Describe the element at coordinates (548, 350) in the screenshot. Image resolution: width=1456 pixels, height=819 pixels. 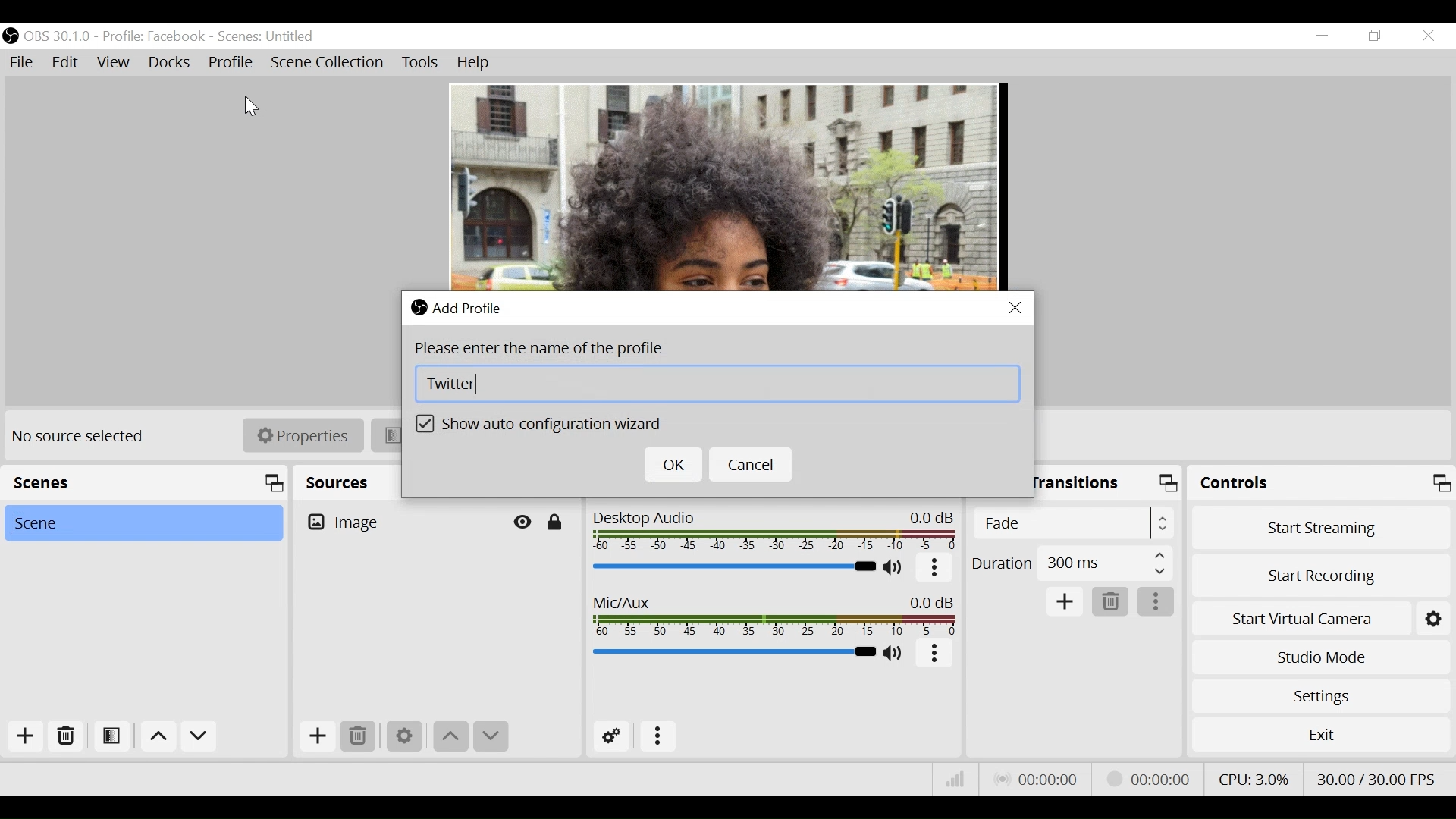
I see `Please enter the name of the profile ` at that location.